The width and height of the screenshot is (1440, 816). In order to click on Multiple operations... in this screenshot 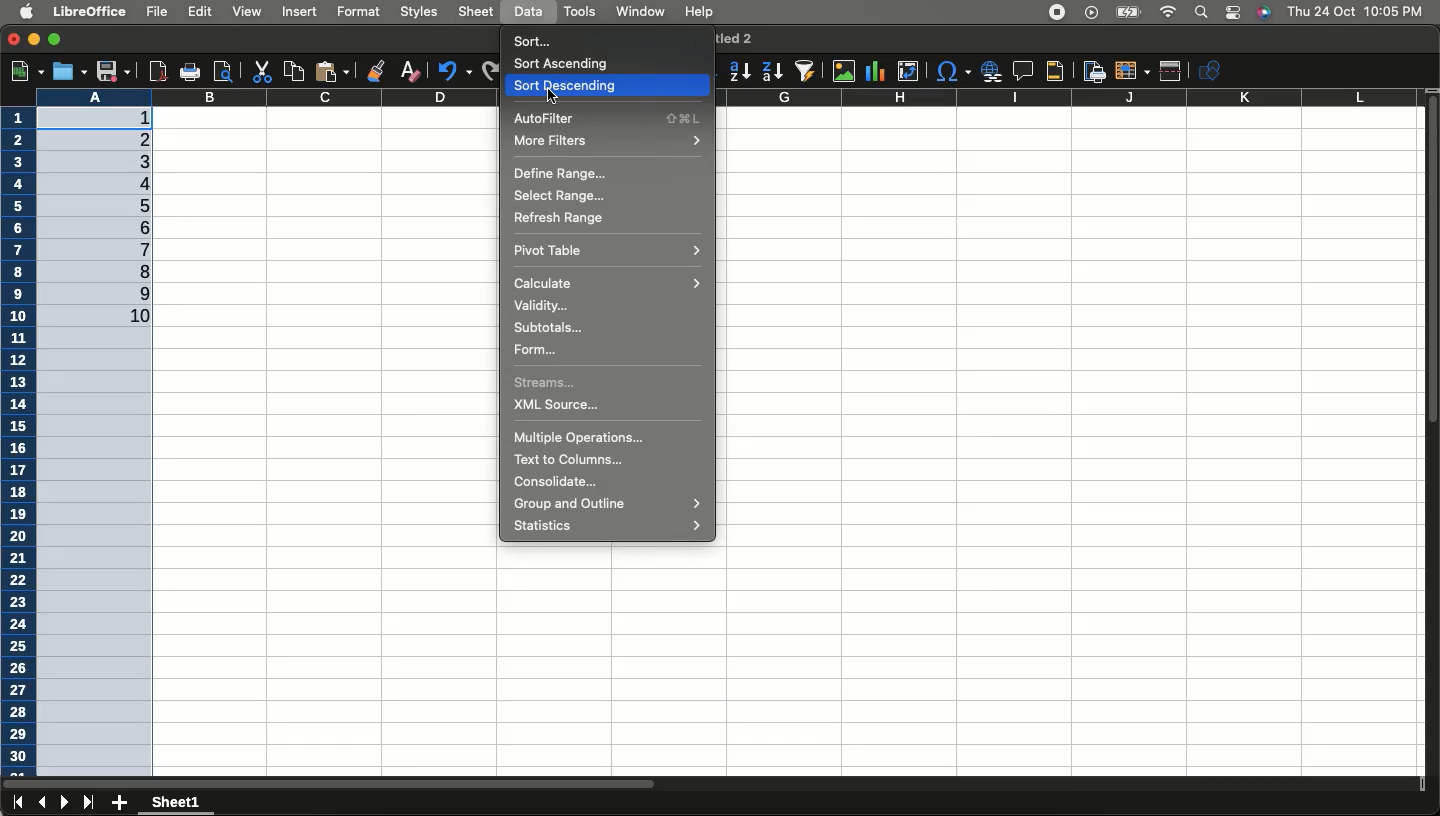, I will do `click(581, 437)`.